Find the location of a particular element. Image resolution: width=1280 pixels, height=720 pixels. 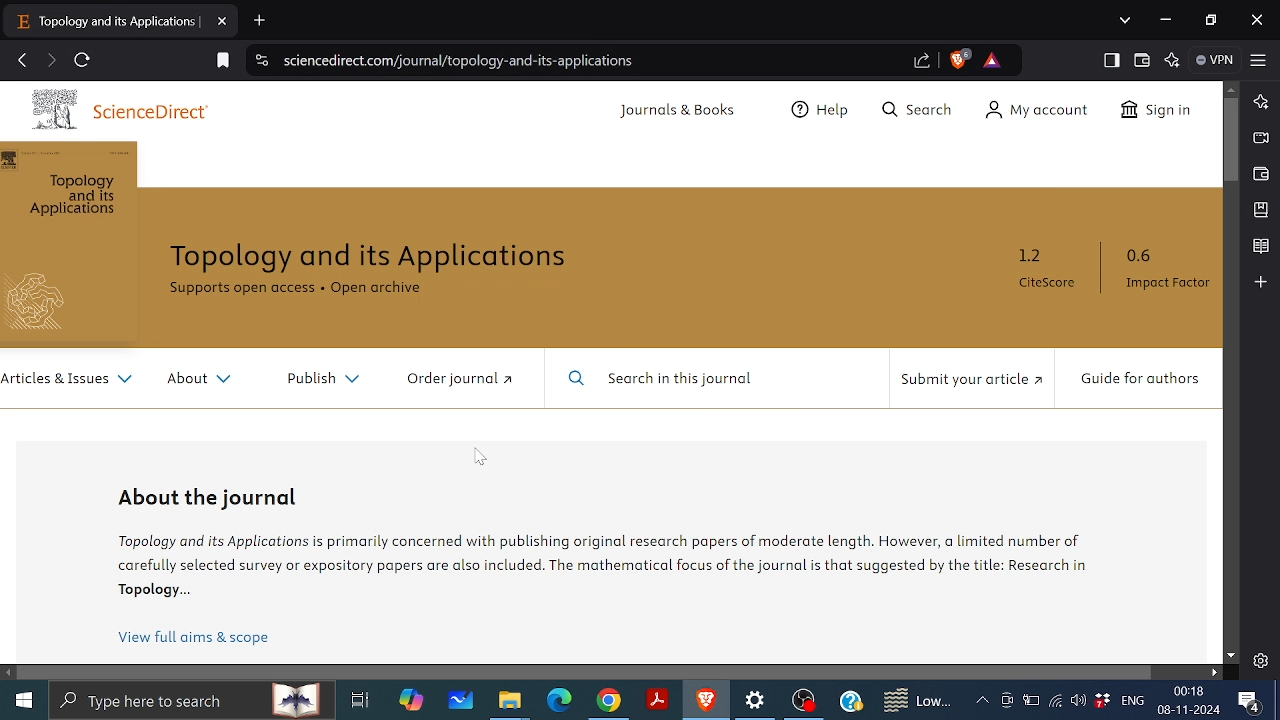

open archive is located at coordinates (378, 289).